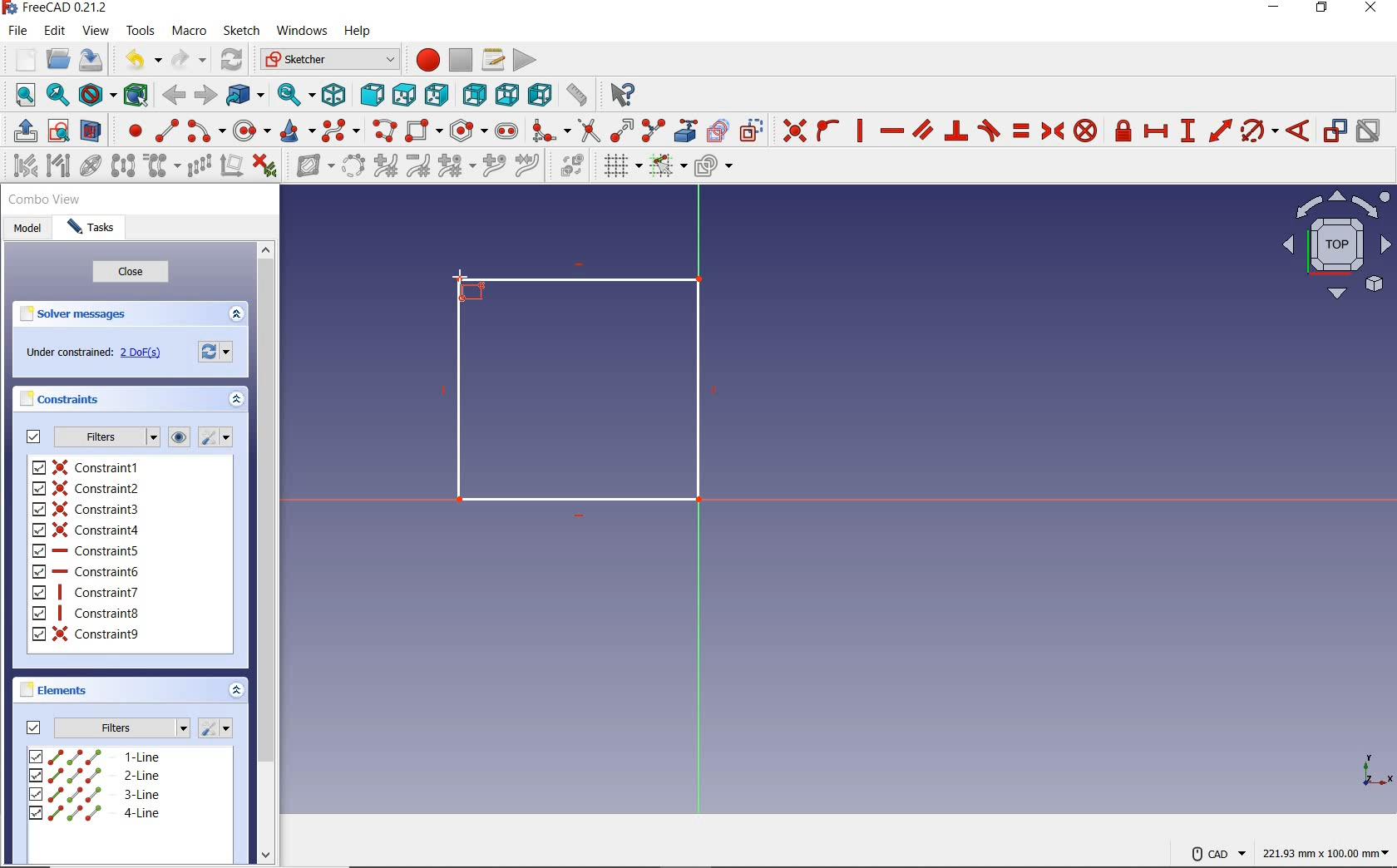 The image size is (1397, 868). What do you see at coordinates (190, 32) in the screenshot?
I see `macro` at bounding box center [190, 32].